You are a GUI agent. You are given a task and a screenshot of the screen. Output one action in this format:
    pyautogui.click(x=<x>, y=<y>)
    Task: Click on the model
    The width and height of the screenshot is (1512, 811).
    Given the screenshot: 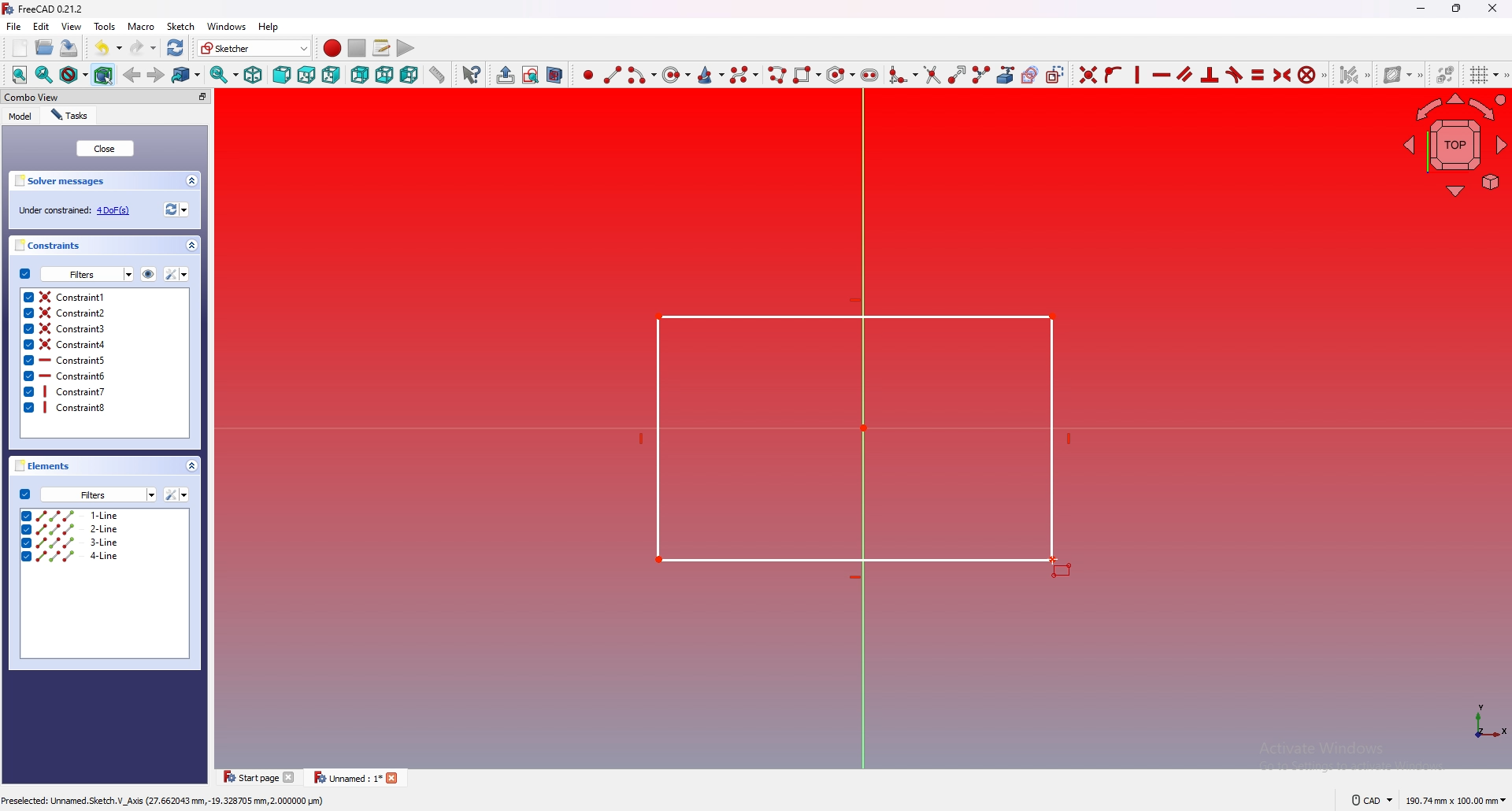 What is the action you would take?
    pyautogui.click(x=21, y=117)
    